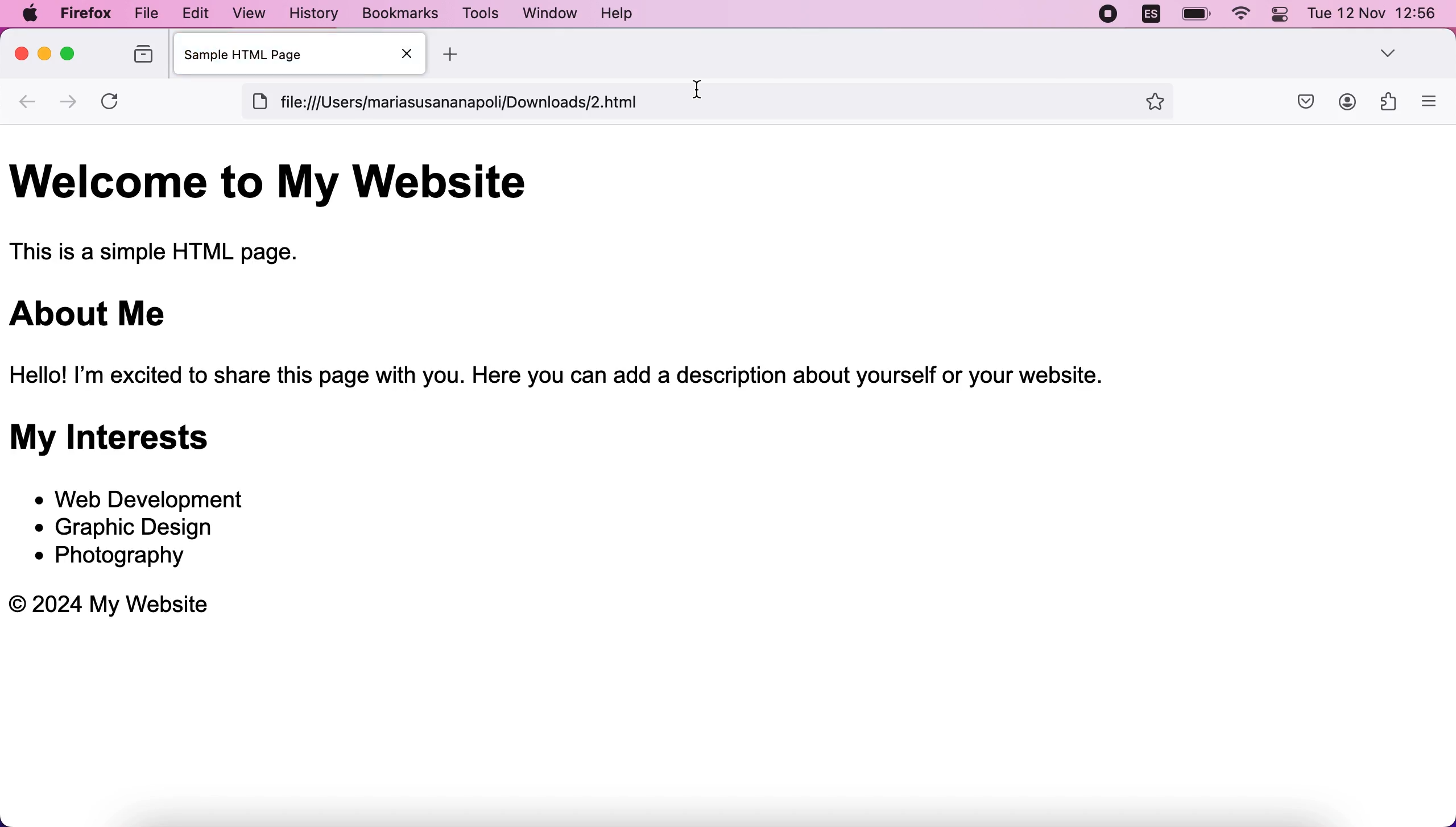 This screenshot has width=1456, height=827. What do you see at coordinates (1153, 15) in the screenshot?
I see `language` at bounding box center [1153, 15].